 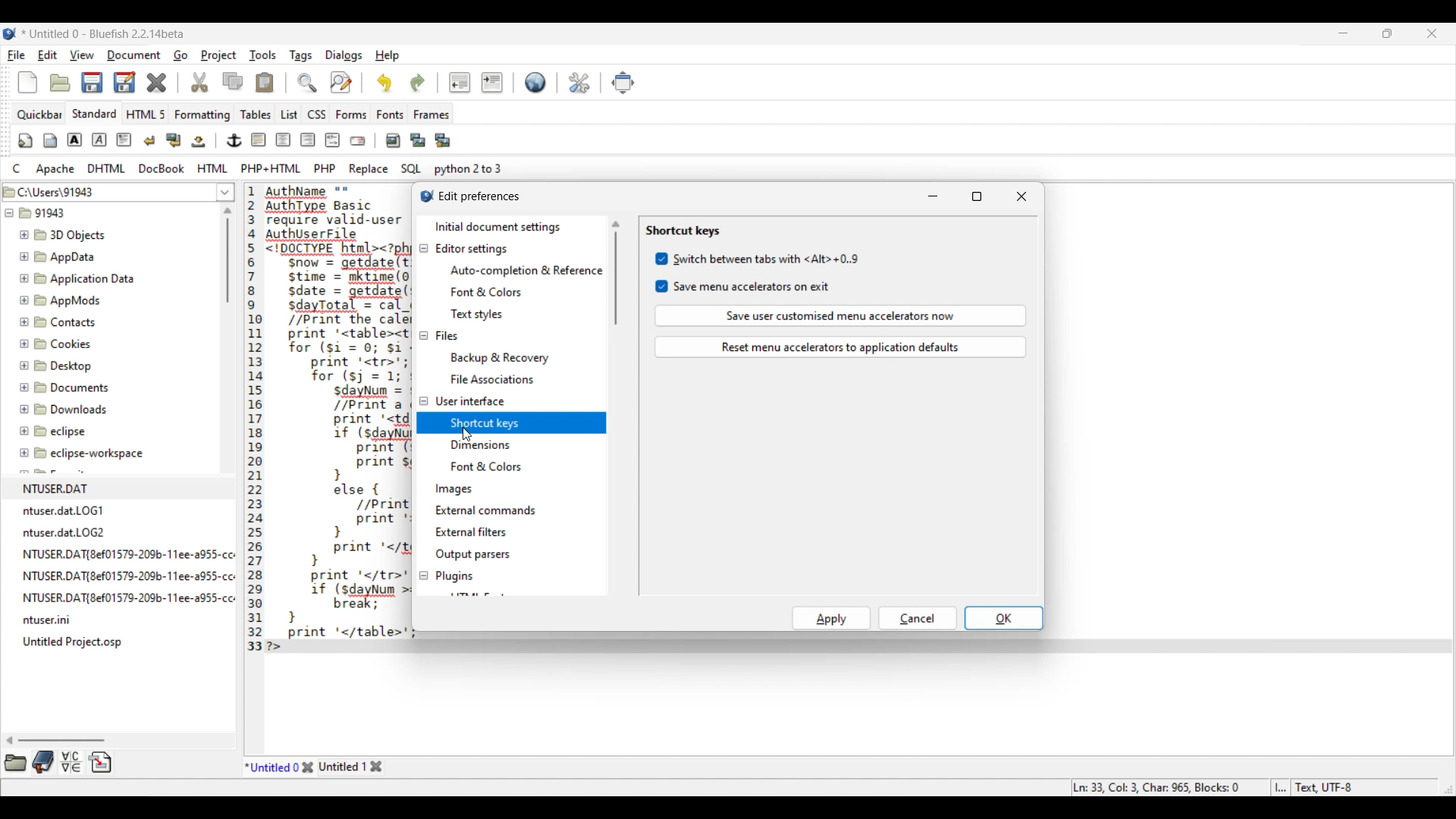 I want to click on Text and image edit tools, so click(x=234, y=141).